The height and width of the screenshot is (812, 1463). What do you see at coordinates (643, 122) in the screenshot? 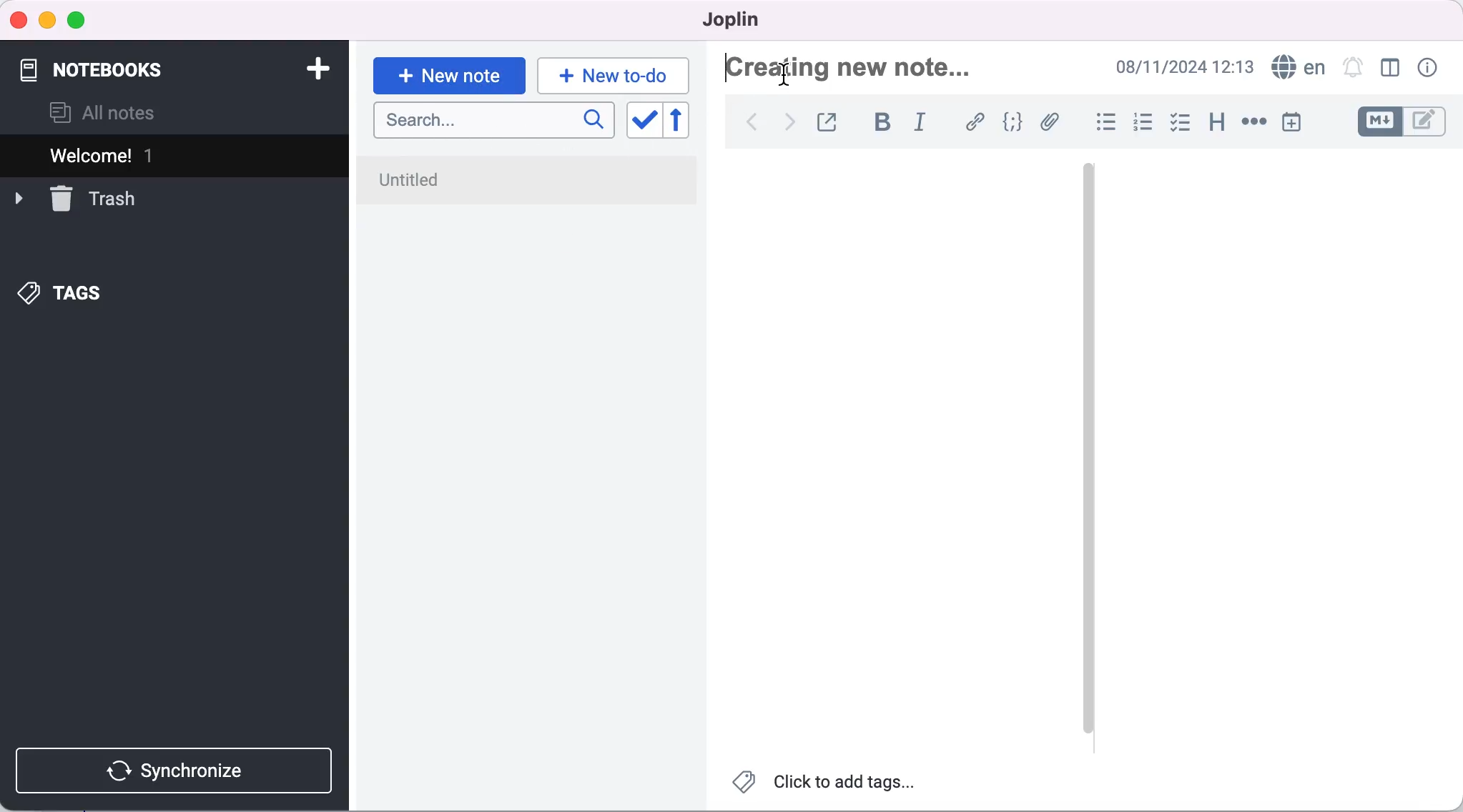
I see `toggle sort order field` at bounding box center [643, 122].